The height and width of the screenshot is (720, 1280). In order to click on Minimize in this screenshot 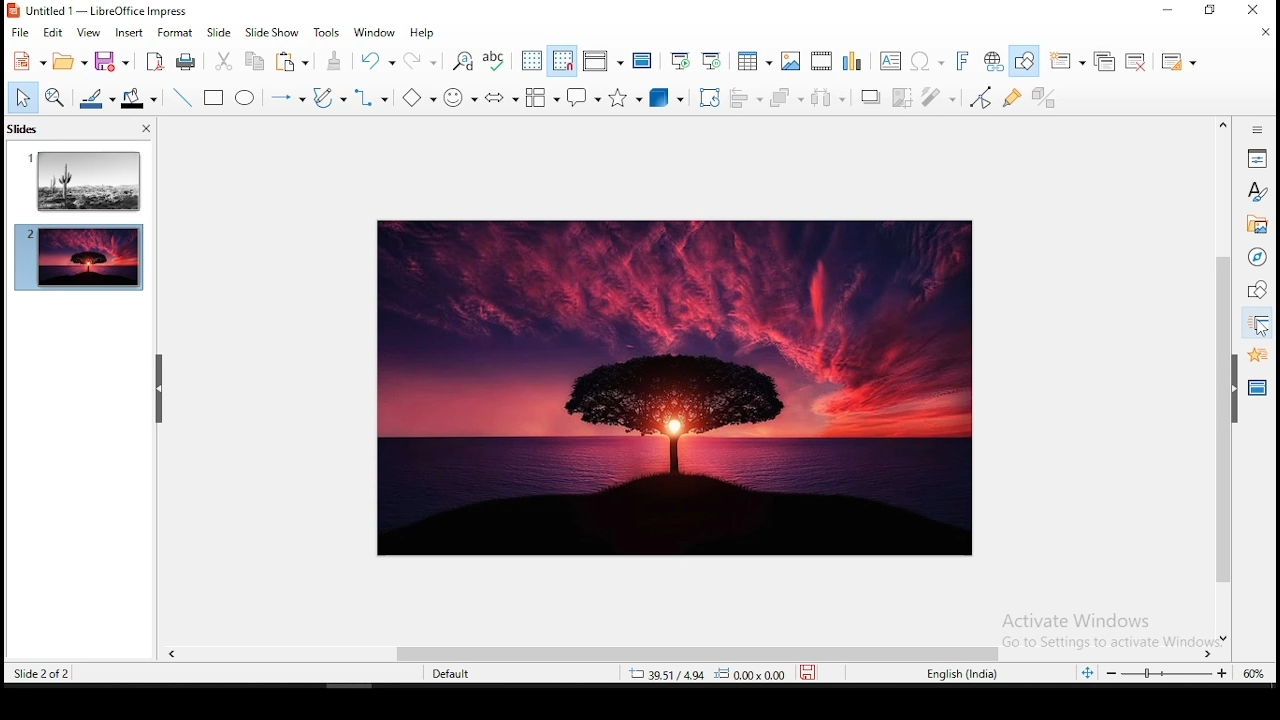, I will do `click(1166, 9)`.